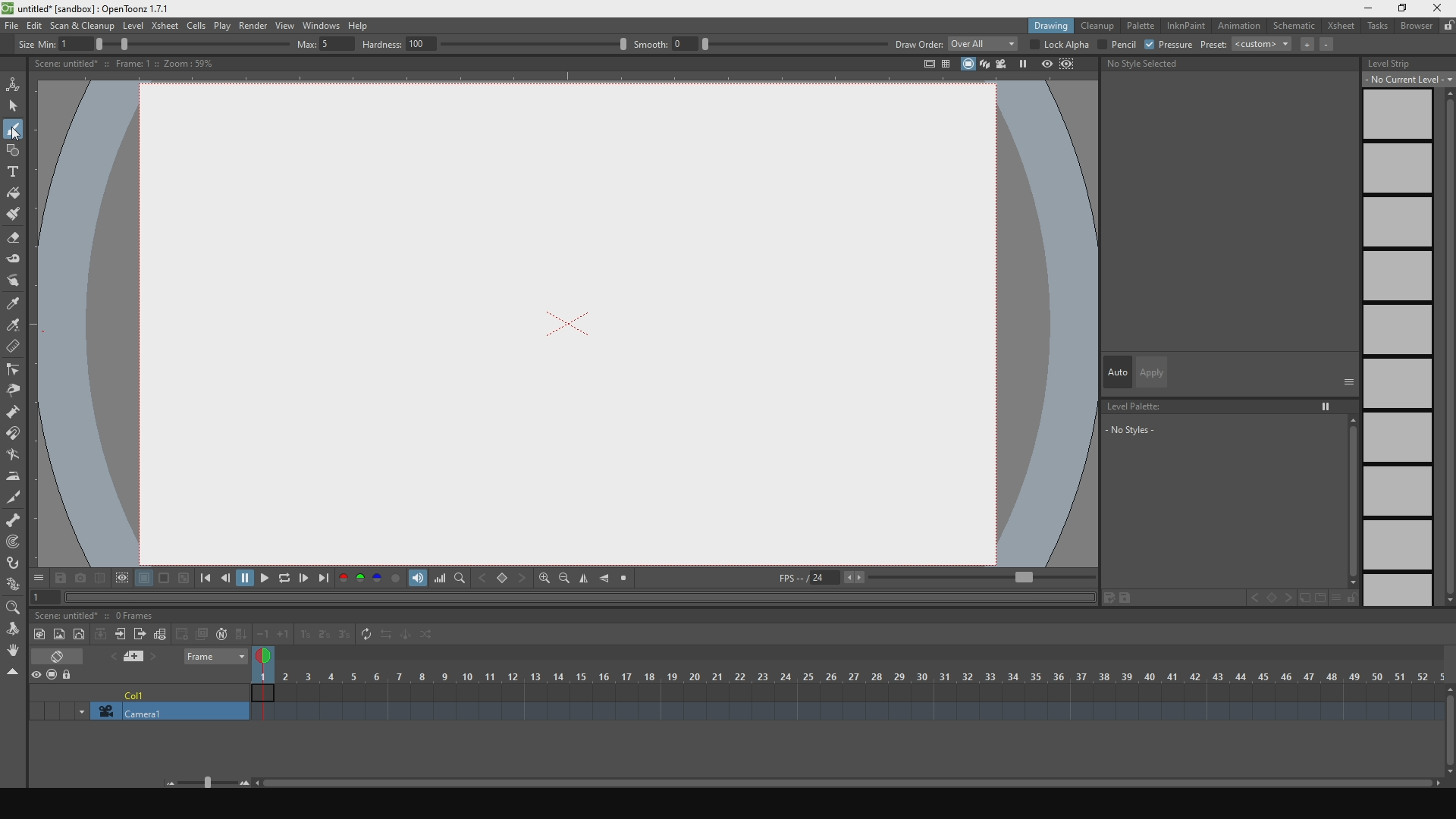 This screenshot has width=1456, height=819. What do you see at coordinates (245, 579) in the screenshot?
I see `pause` at bounding box center [245, 579].